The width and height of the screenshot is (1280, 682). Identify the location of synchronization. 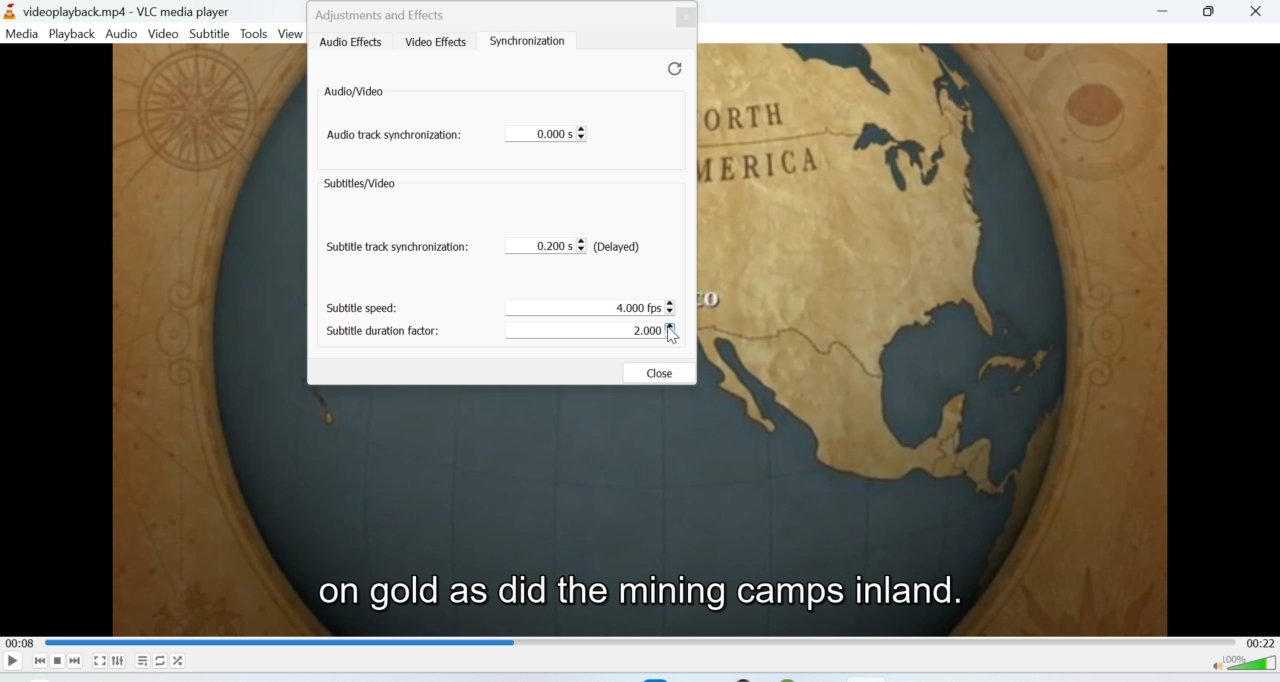
(536, 41).